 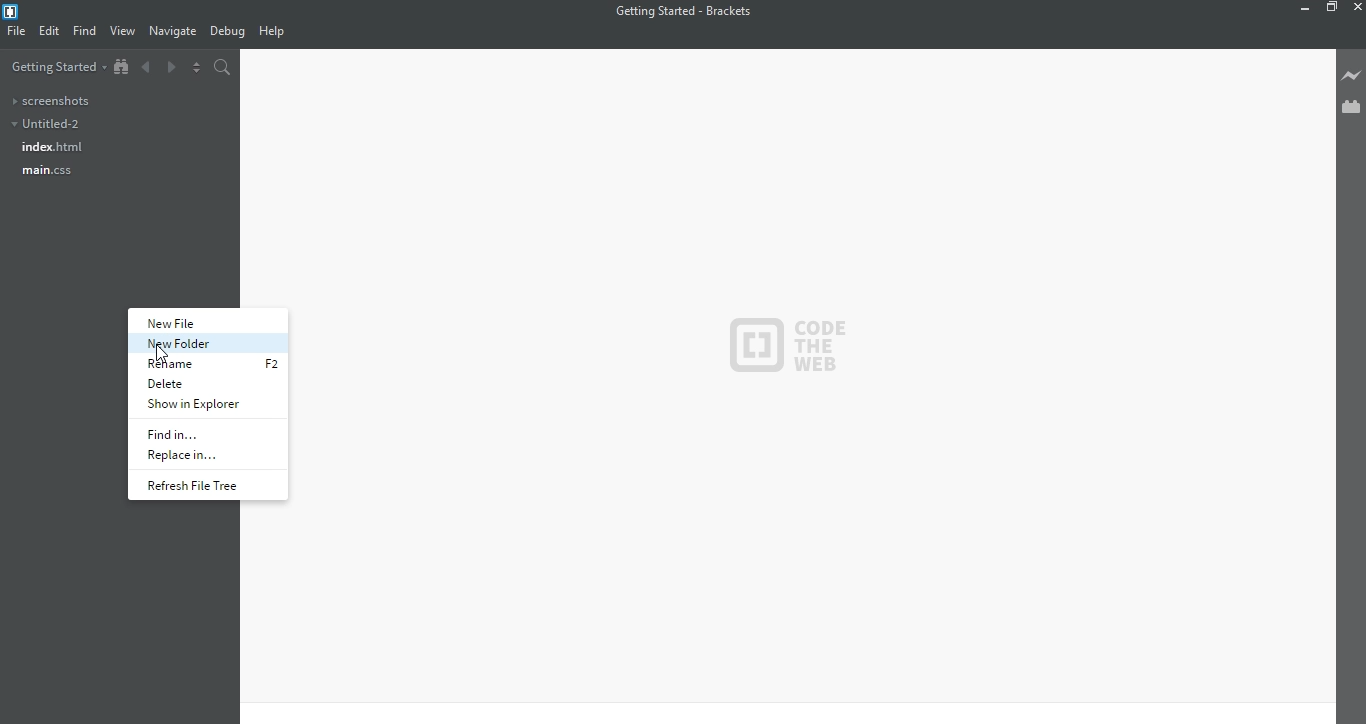 I want to click on close, so click(x=1355, y=7).